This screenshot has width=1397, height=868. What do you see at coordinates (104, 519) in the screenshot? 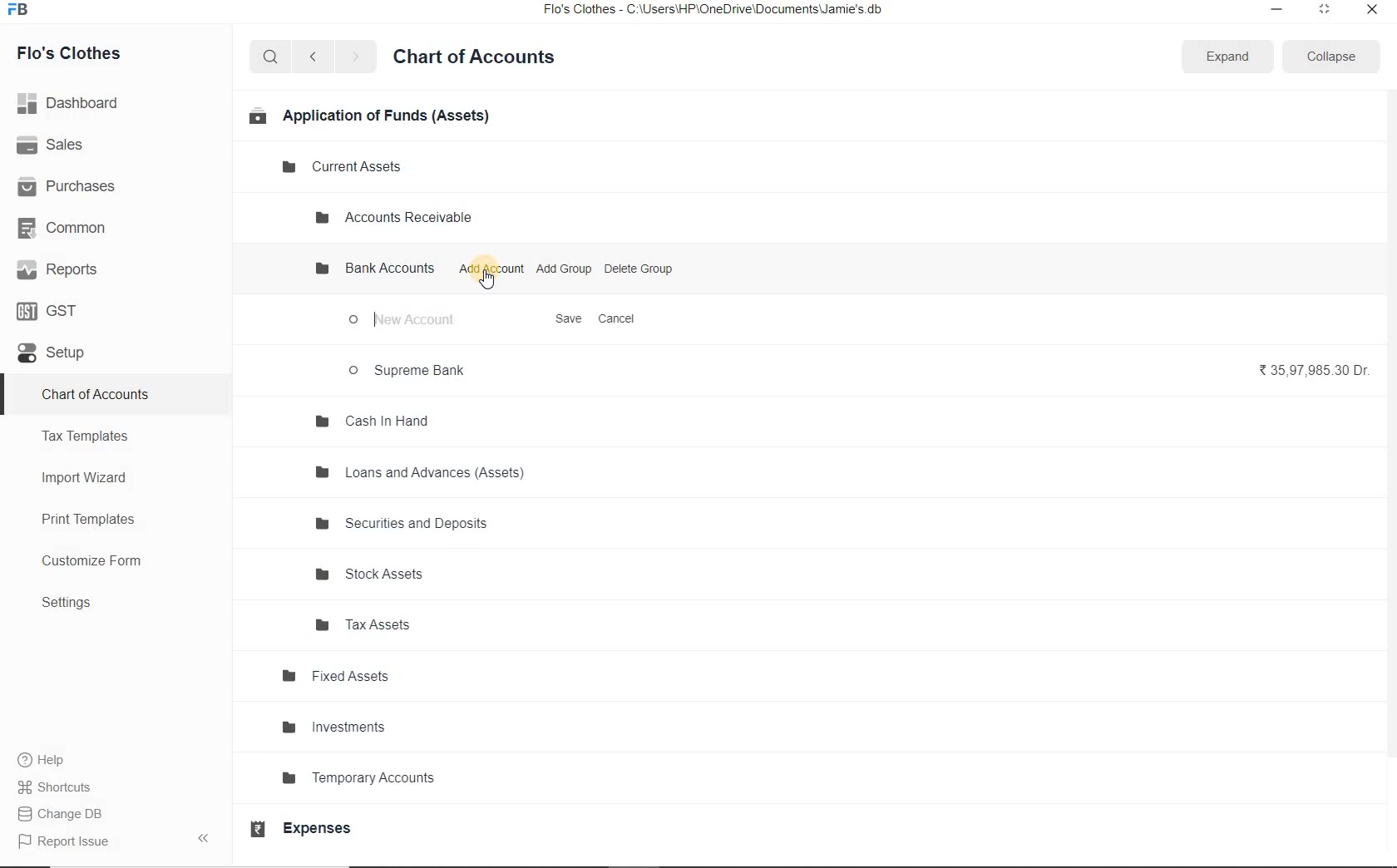
I see `Print Templates` at bounding box center [104, 519].